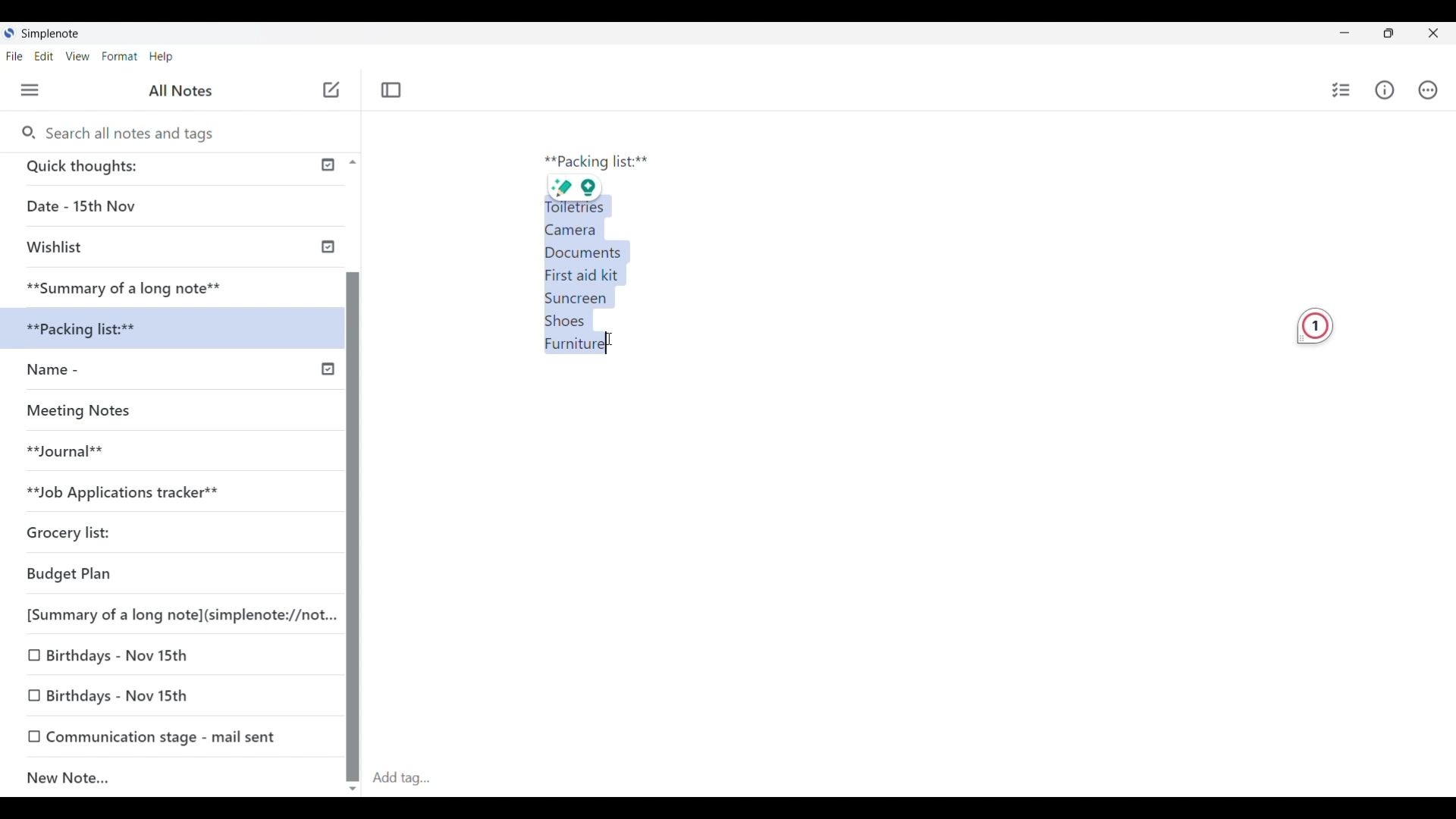 The height and width of the screenshot is (819, 1456). I want to click on Actions, so click(1428, 89).